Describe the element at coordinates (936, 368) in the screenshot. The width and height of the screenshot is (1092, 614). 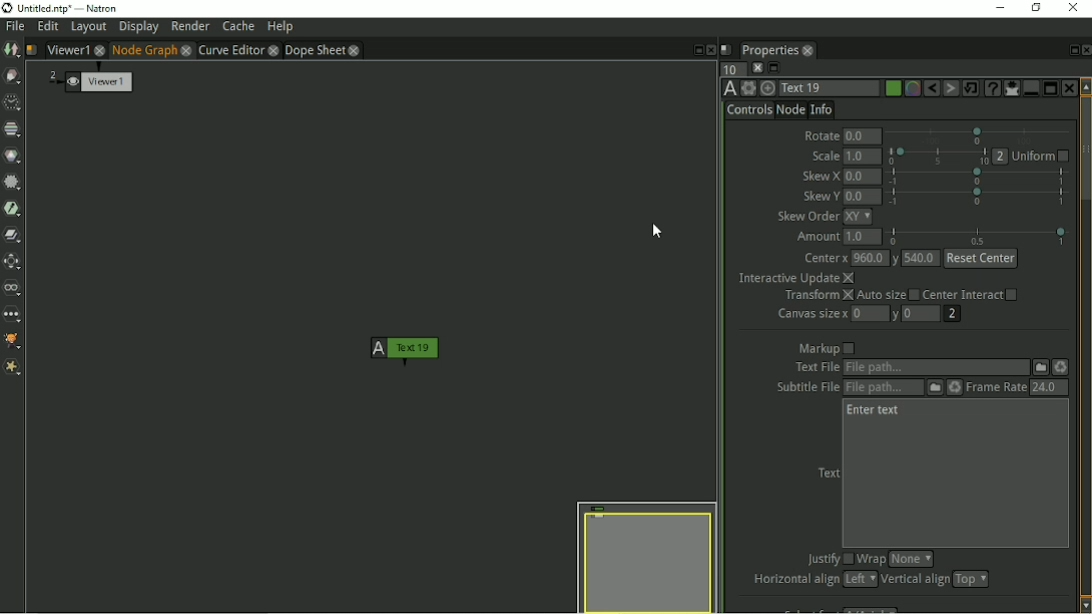
I see `Text File` at that location.